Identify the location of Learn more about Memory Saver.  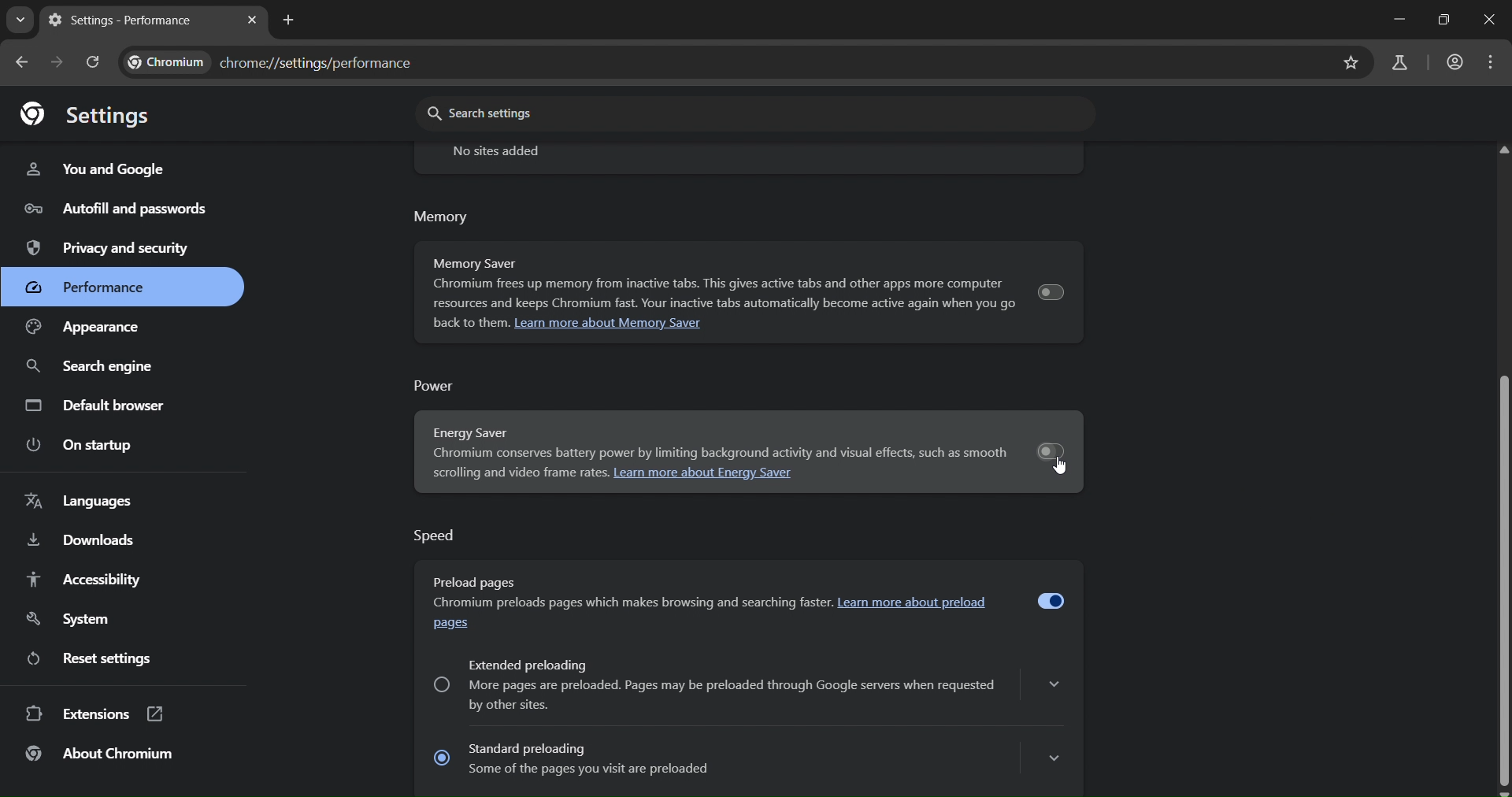
(609, 324).